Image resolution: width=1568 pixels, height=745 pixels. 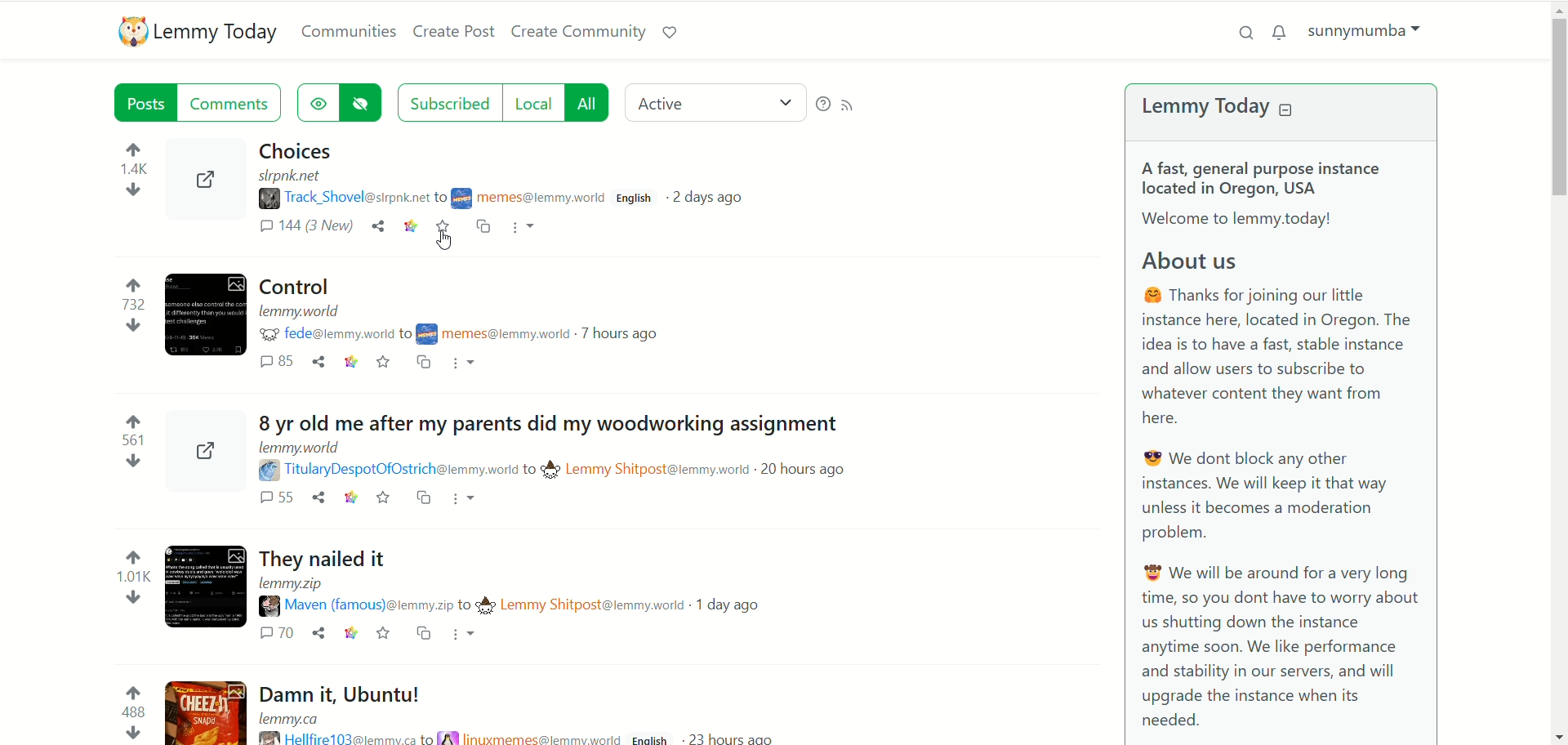 I want to click on share, so click(x=207, y=185).